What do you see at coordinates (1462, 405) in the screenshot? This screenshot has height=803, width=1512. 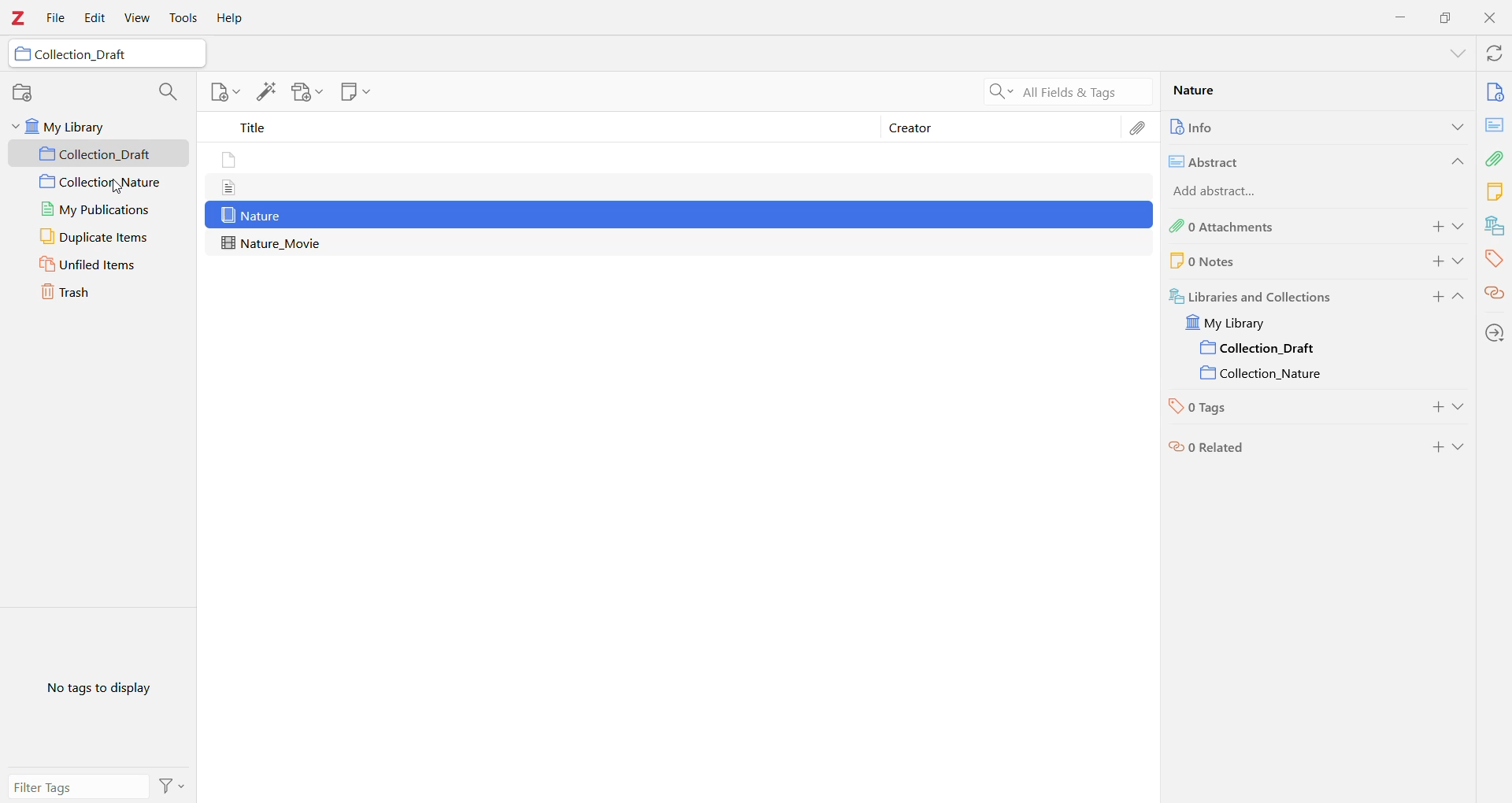 I see `Expand Section` at bounding box center [1462, 405].